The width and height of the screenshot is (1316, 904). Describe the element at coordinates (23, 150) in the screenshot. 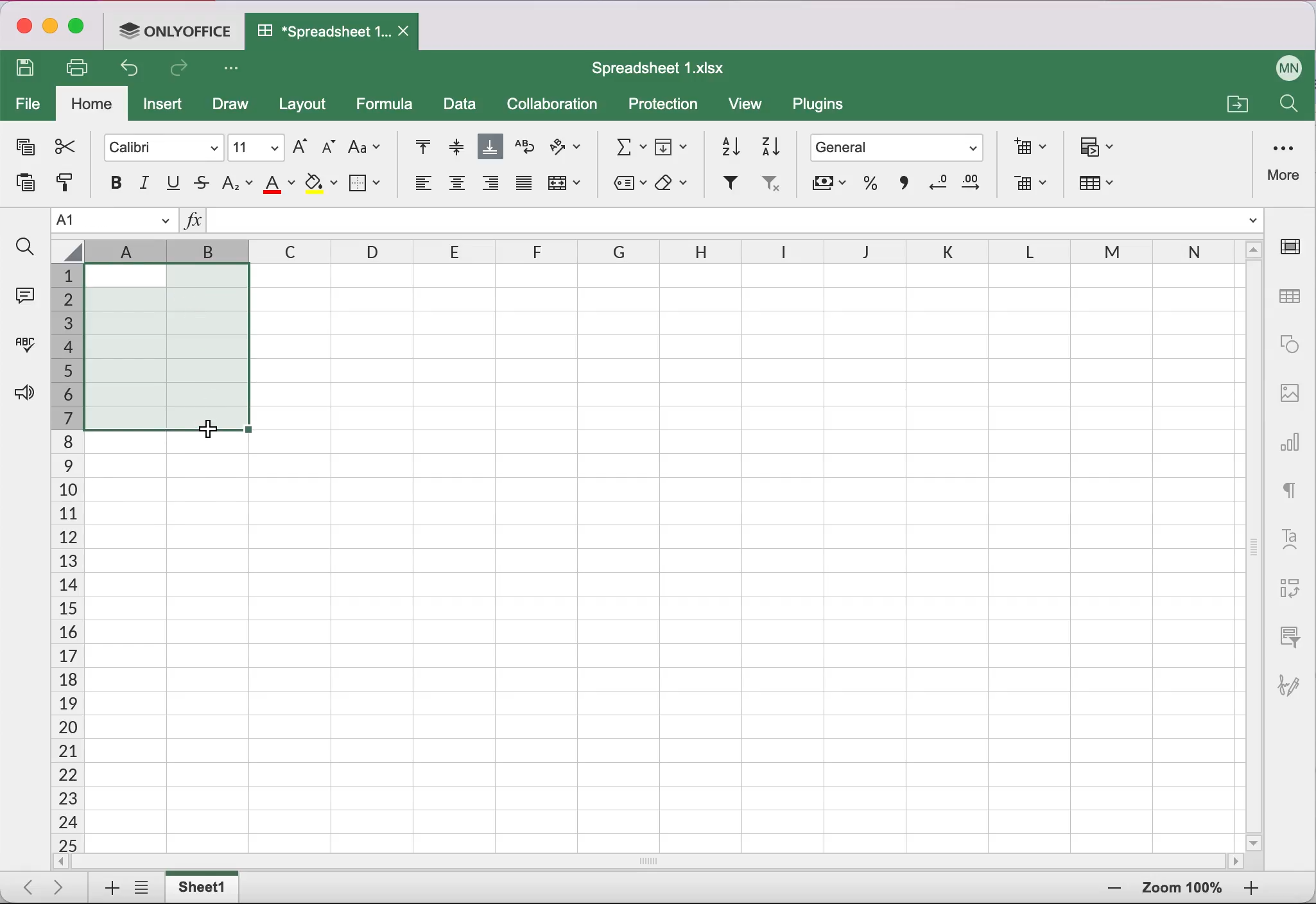

I see `copy` at that location.